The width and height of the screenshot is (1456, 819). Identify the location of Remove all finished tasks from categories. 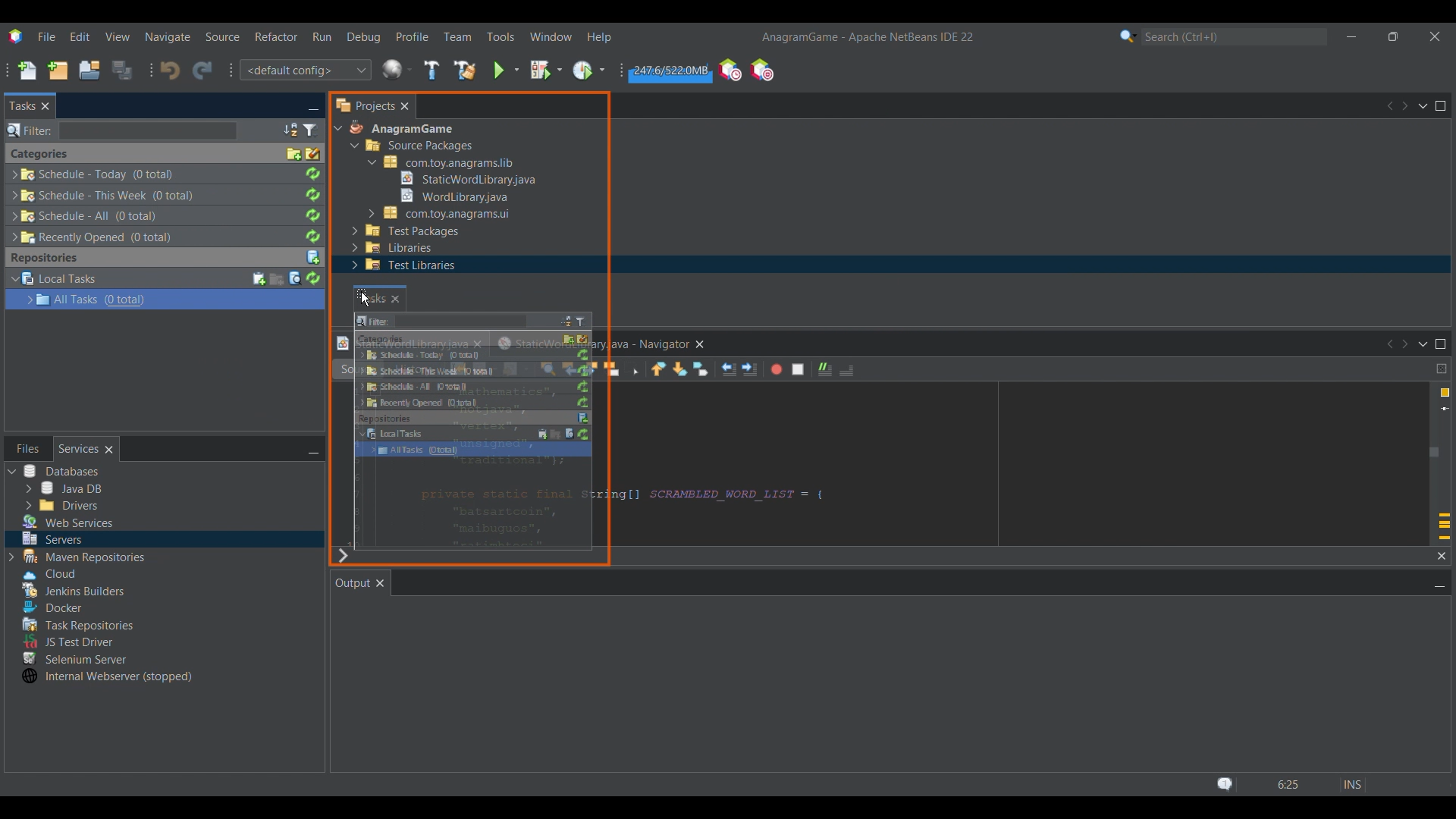
(313, 154).